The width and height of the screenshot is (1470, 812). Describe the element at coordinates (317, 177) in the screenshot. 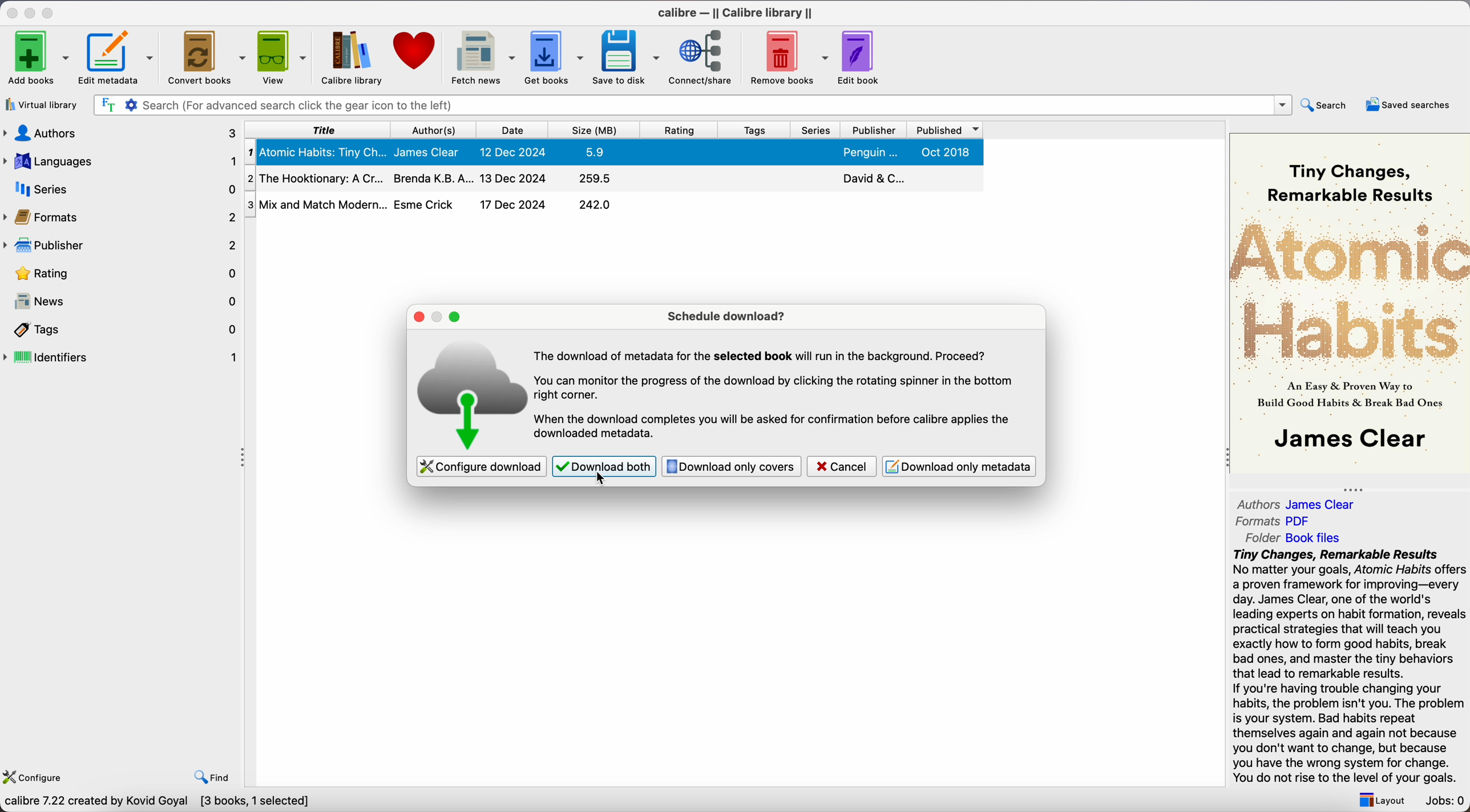

I see `The Hooktionary: A Cr...` at that location.